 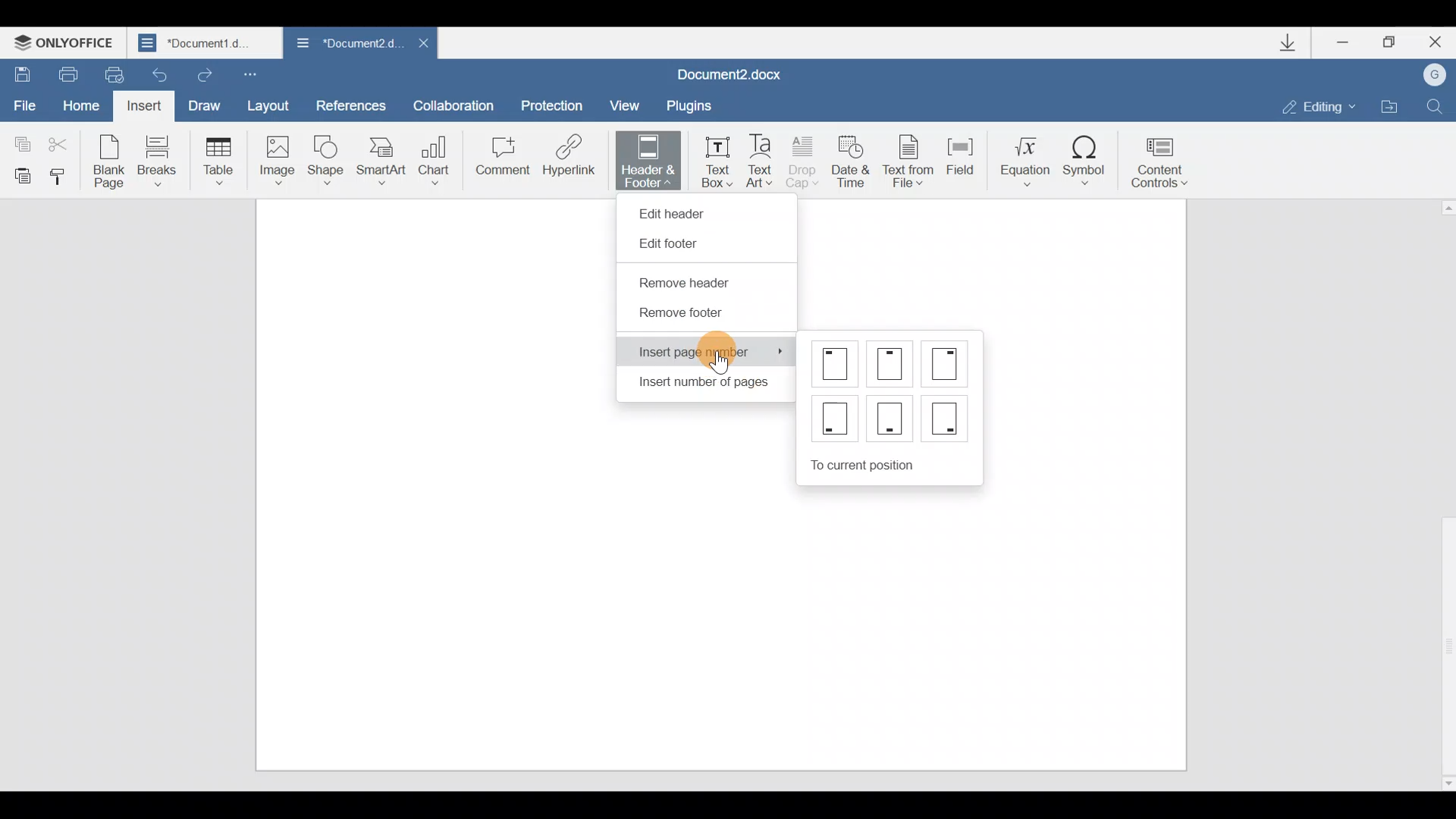 I want to click on Editing mode, so click(x=1310, y=105).